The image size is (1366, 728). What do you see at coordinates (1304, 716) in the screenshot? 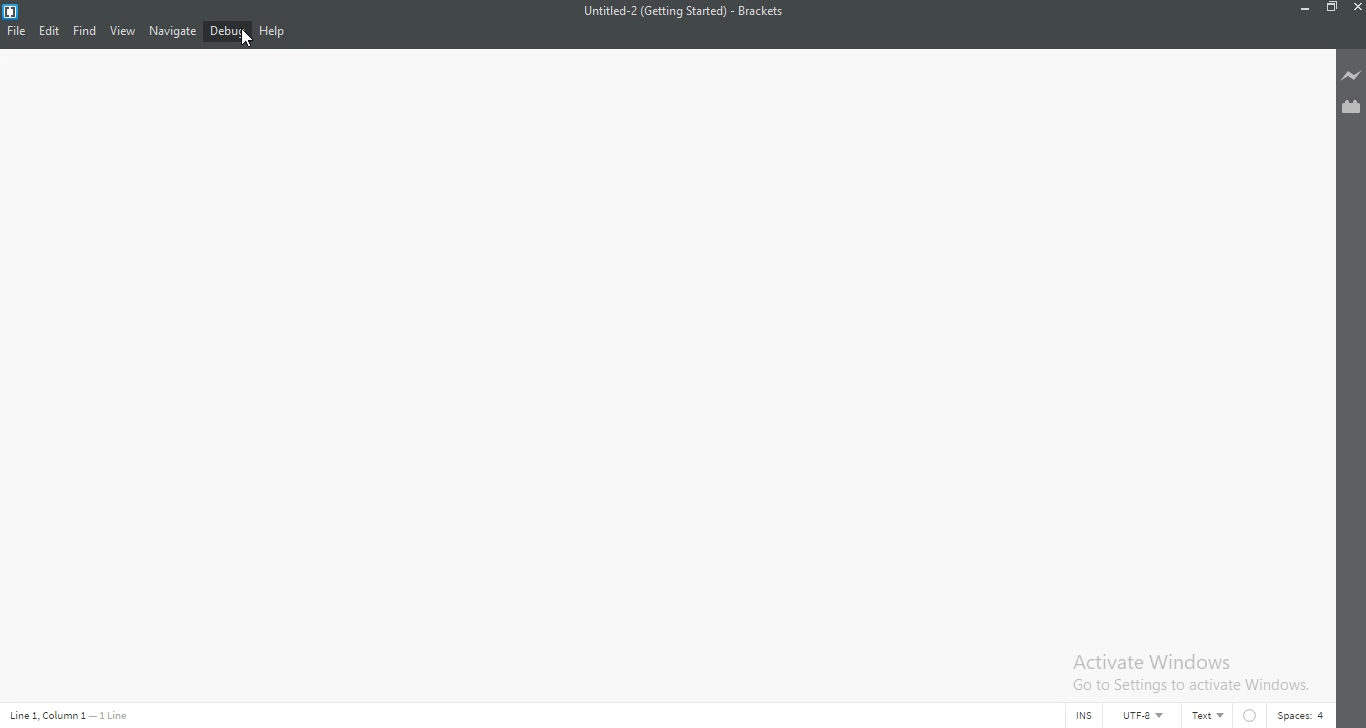
I see `space: 4` at bounding box center [1304, 716].